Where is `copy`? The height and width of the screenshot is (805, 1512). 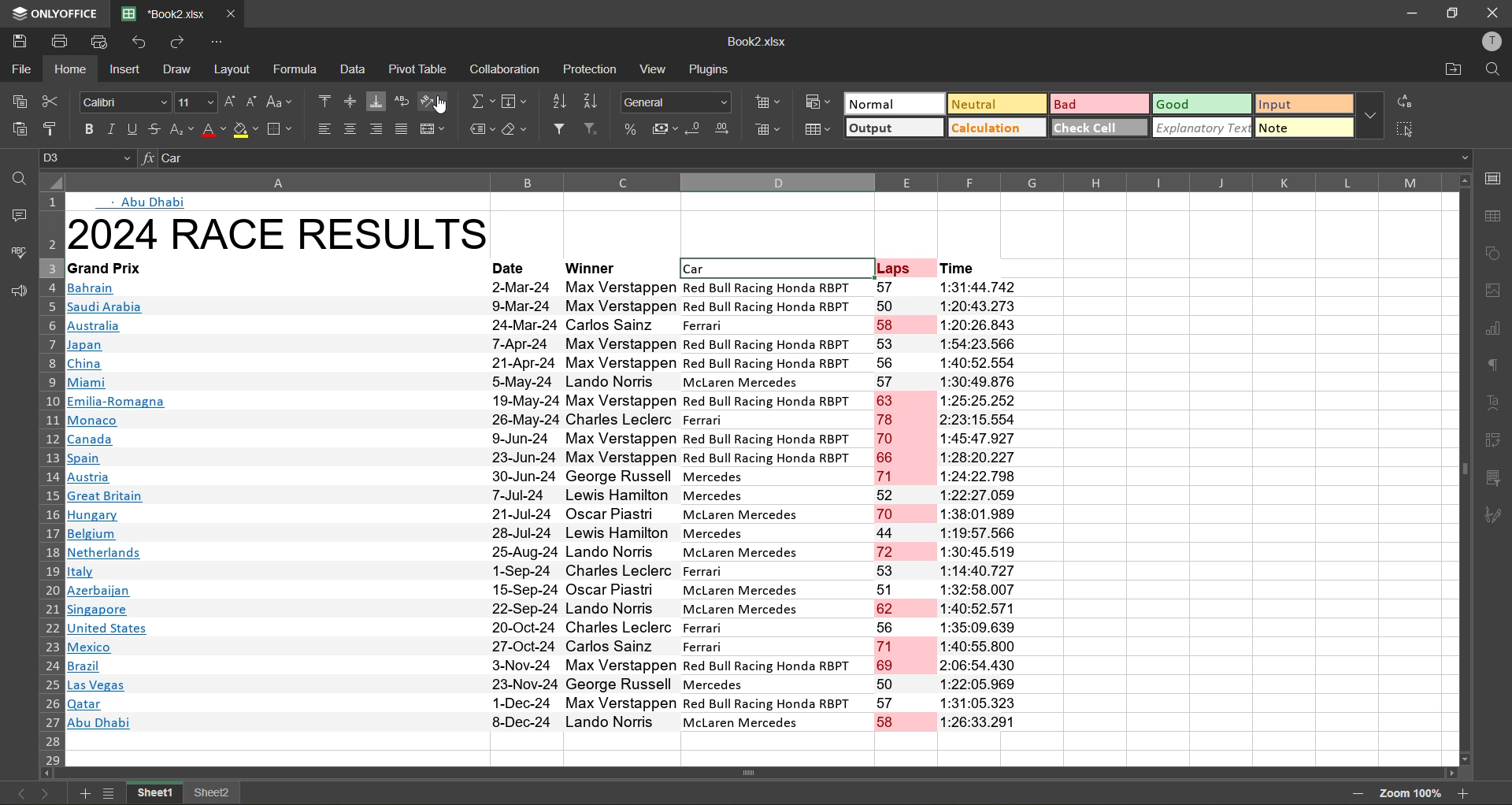 copy is located at coordinates (16, 102).